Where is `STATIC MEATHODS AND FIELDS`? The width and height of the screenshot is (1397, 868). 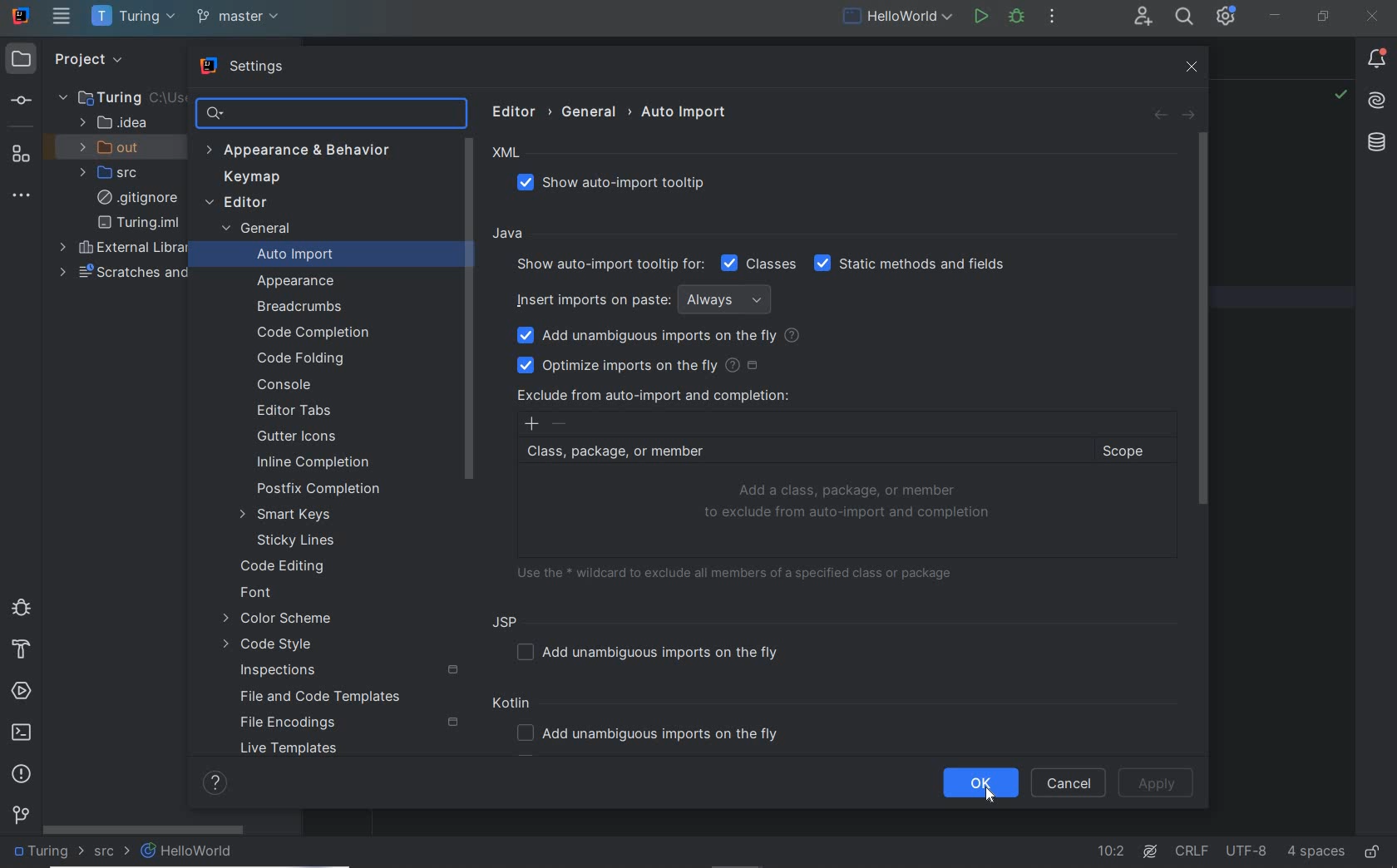 STATIC MEATHODS AND FIELDS is located at coordinates (911, 264).